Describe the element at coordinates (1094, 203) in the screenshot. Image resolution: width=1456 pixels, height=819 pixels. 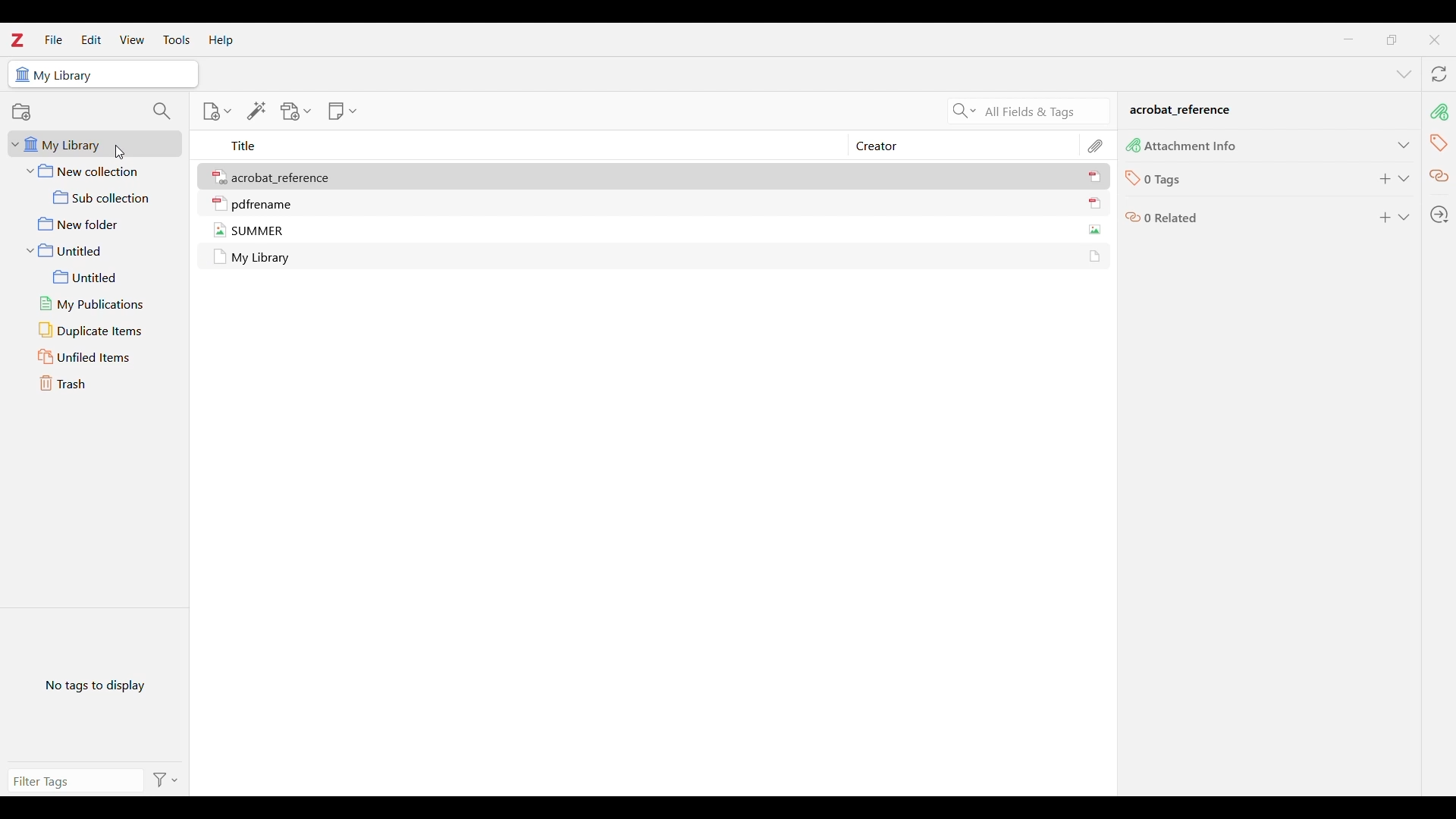
I see `icon` at that location.